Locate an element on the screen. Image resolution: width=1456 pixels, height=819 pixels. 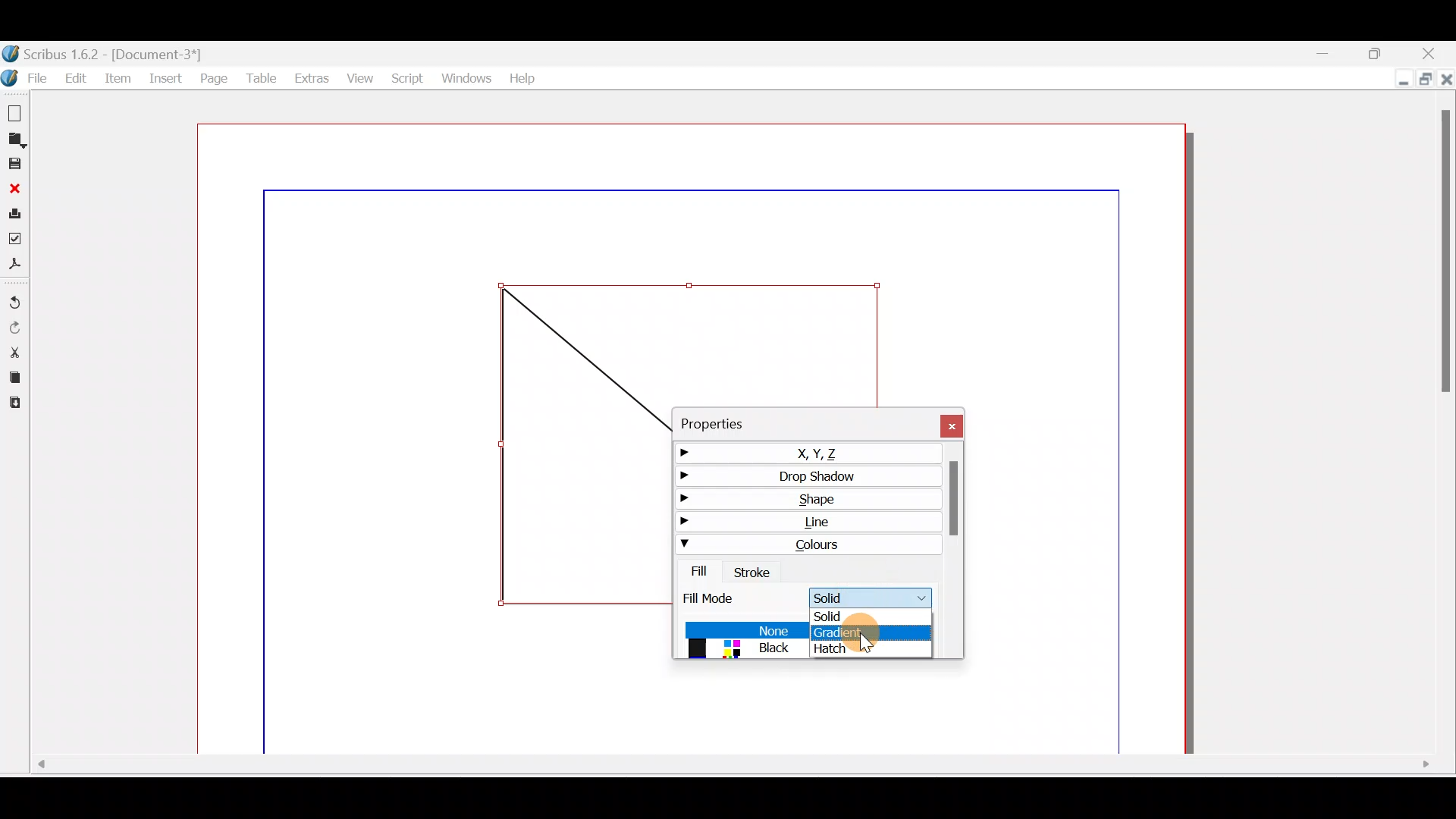
Shape is located at coordinates (807, 497).